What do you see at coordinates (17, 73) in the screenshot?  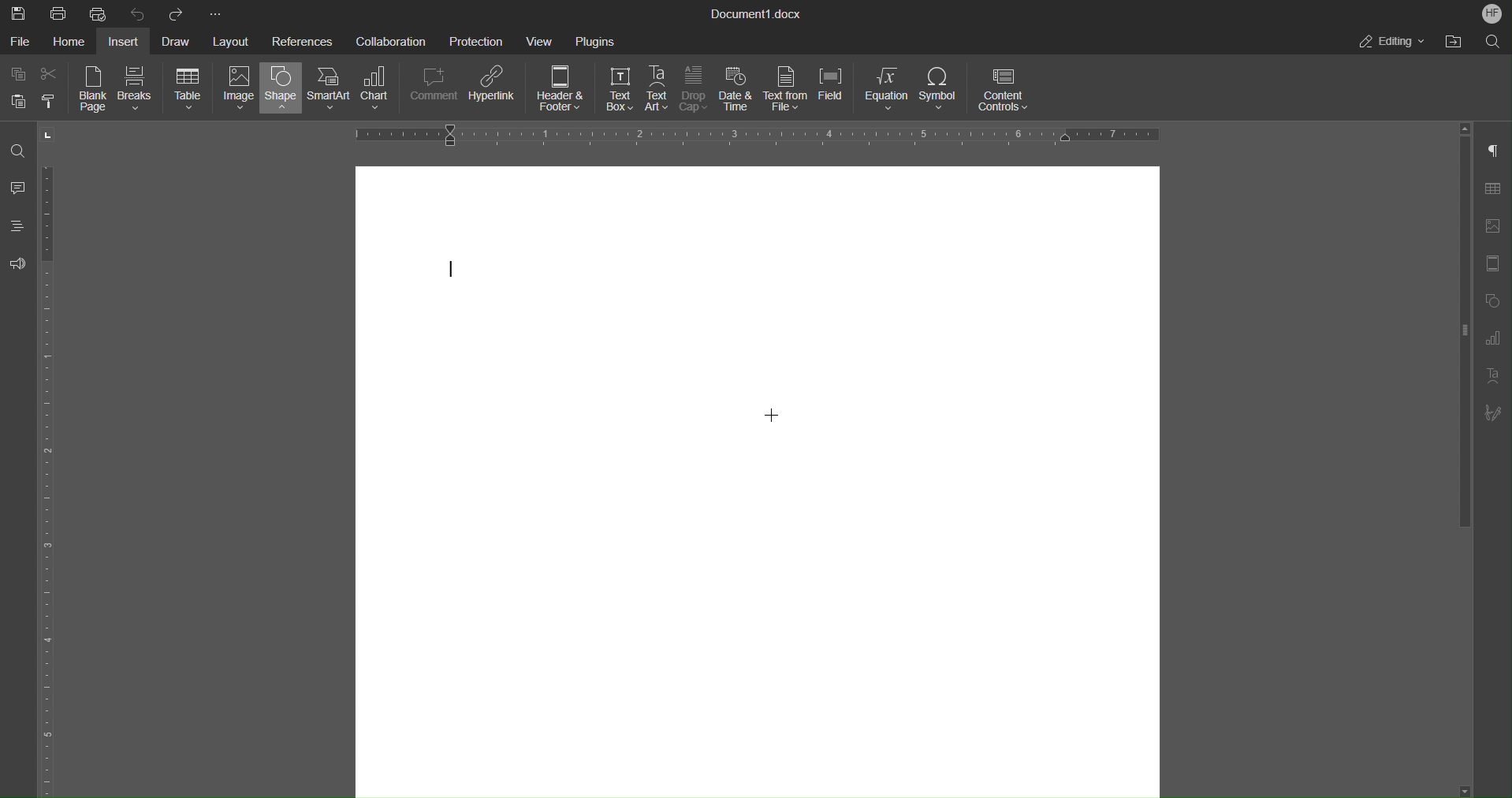 I see `Copy` at bounding box center [17, 73].